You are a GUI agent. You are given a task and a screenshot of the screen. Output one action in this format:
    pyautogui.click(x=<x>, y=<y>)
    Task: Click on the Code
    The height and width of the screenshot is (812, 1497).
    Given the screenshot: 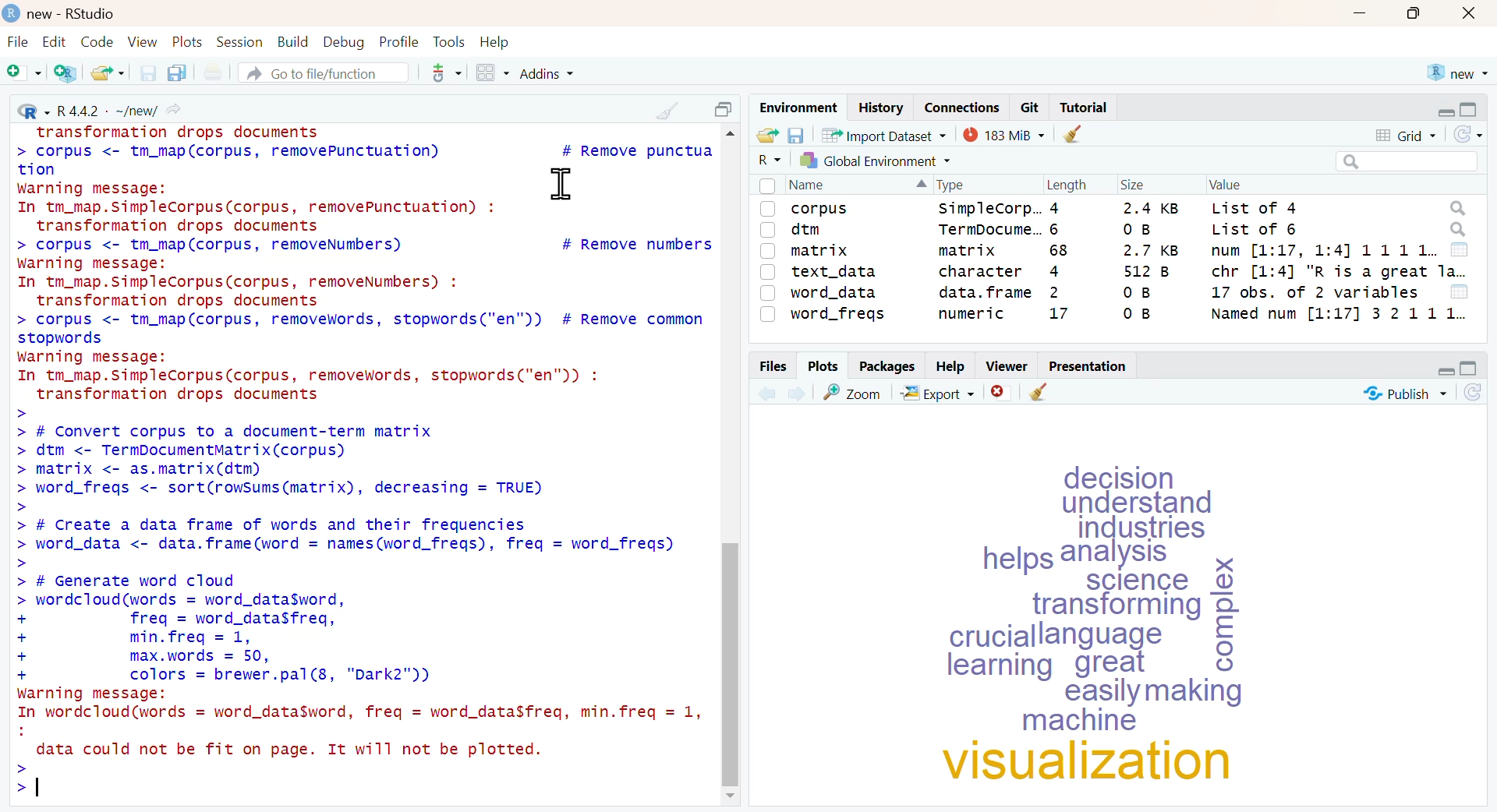 What is the action you would take?
    pyautogui.click(x=97, y=41)
    